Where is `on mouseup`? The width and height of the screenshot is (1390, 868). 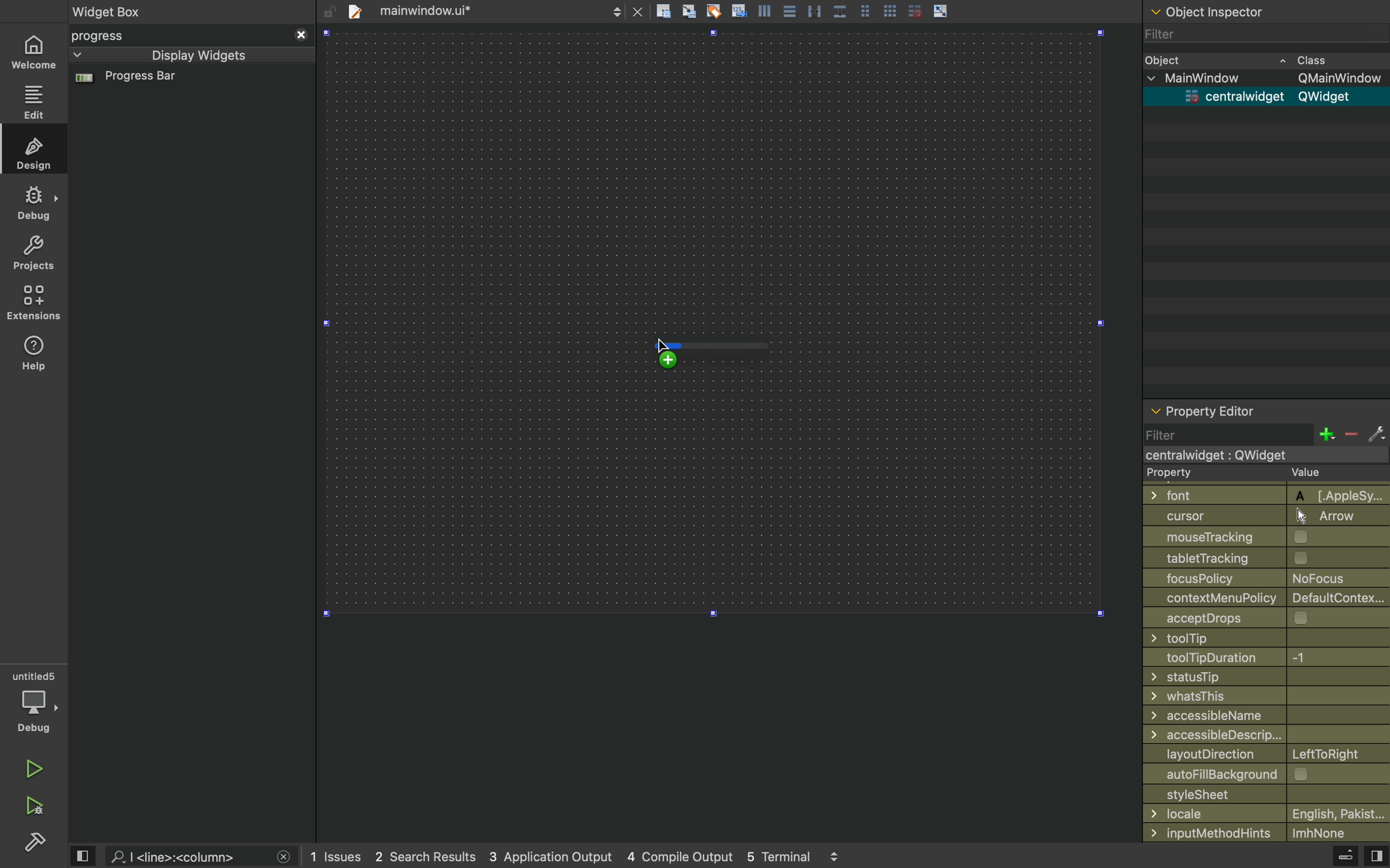
on mouseup is located at coordinates (689, 367).